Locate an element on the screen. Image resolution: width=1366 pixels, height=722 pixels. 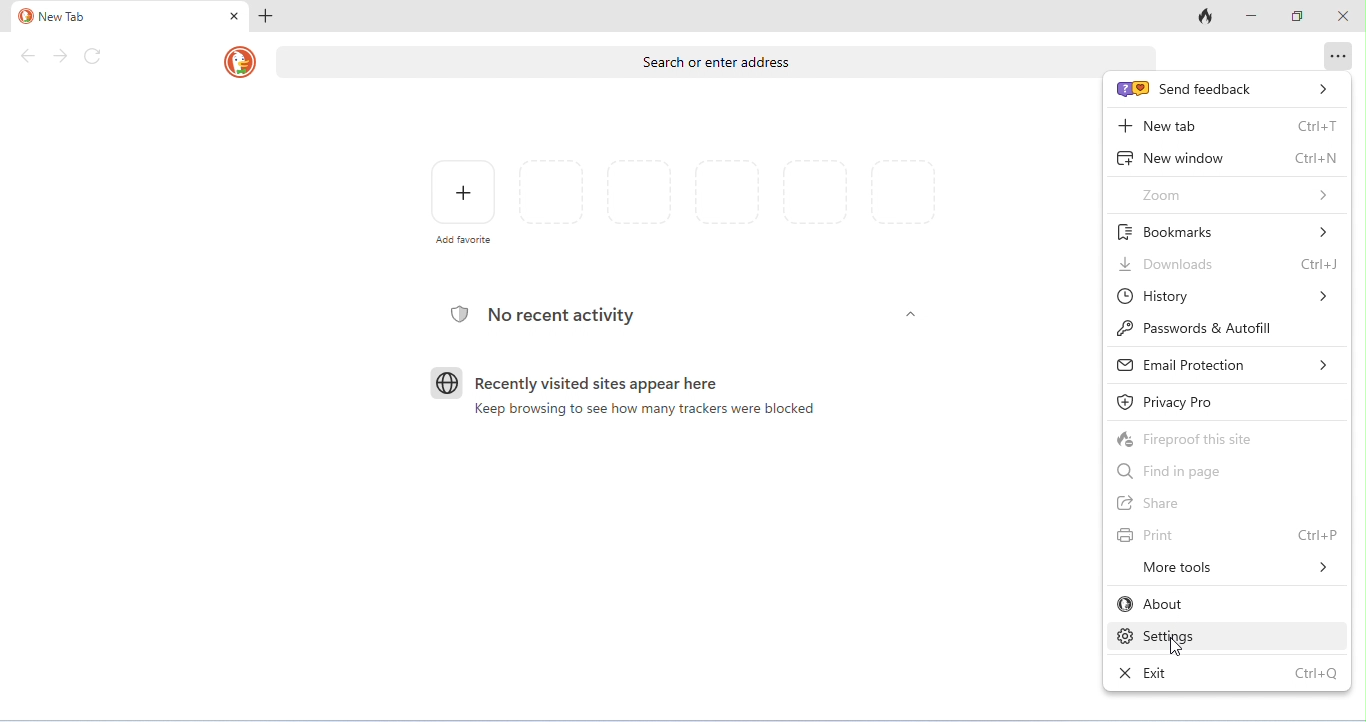
keep browsing to see how many trackers were blocked is located at coordinates (637, 409).